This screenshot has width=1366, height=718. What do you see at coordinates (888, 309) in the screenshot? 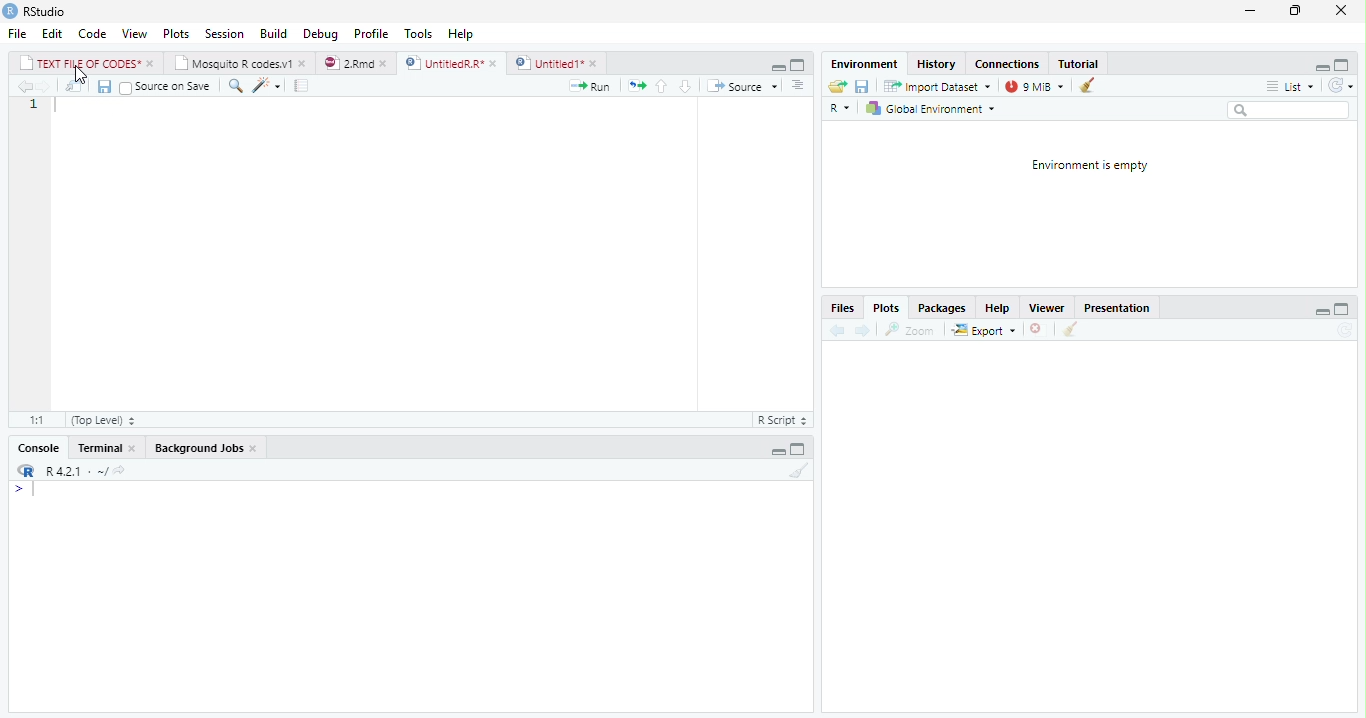
I see `Plots` at bounding box center [888, 309].